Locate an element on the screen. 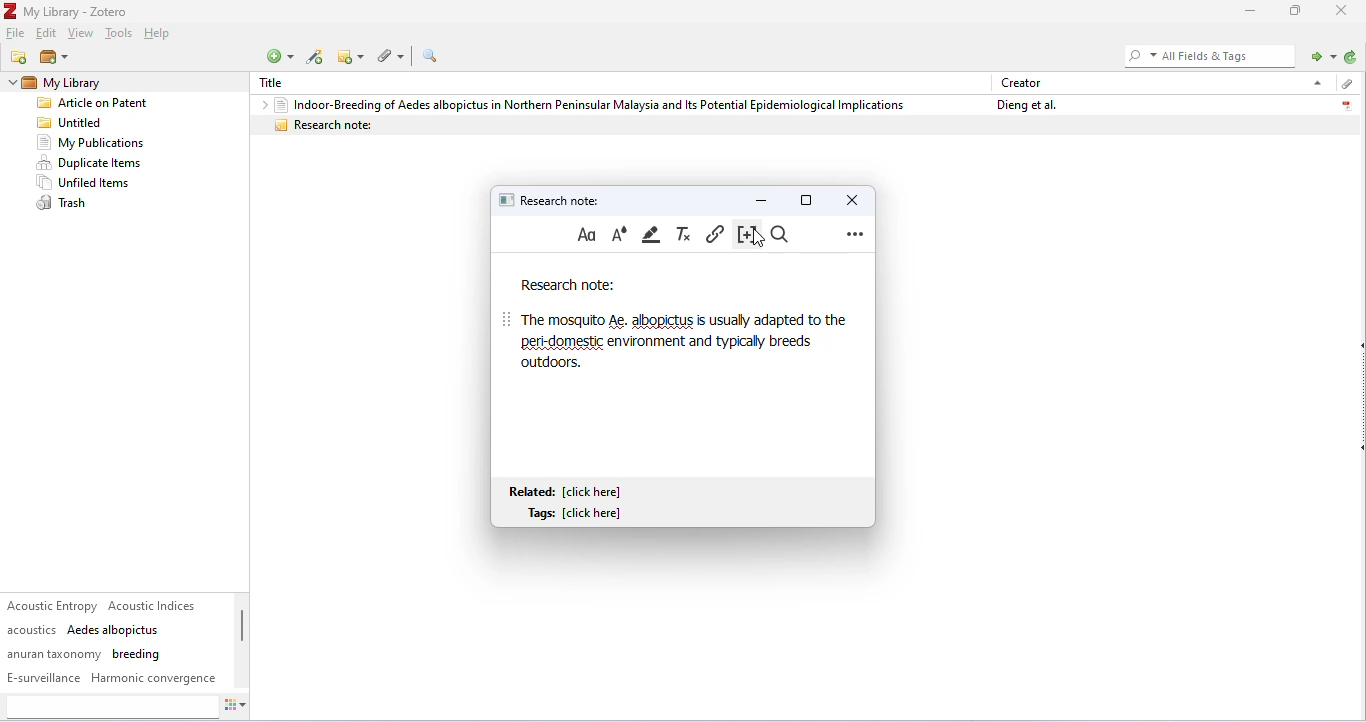 The width and height of the screenshot is (1366, 722). help is located at coordinates (160, 35).